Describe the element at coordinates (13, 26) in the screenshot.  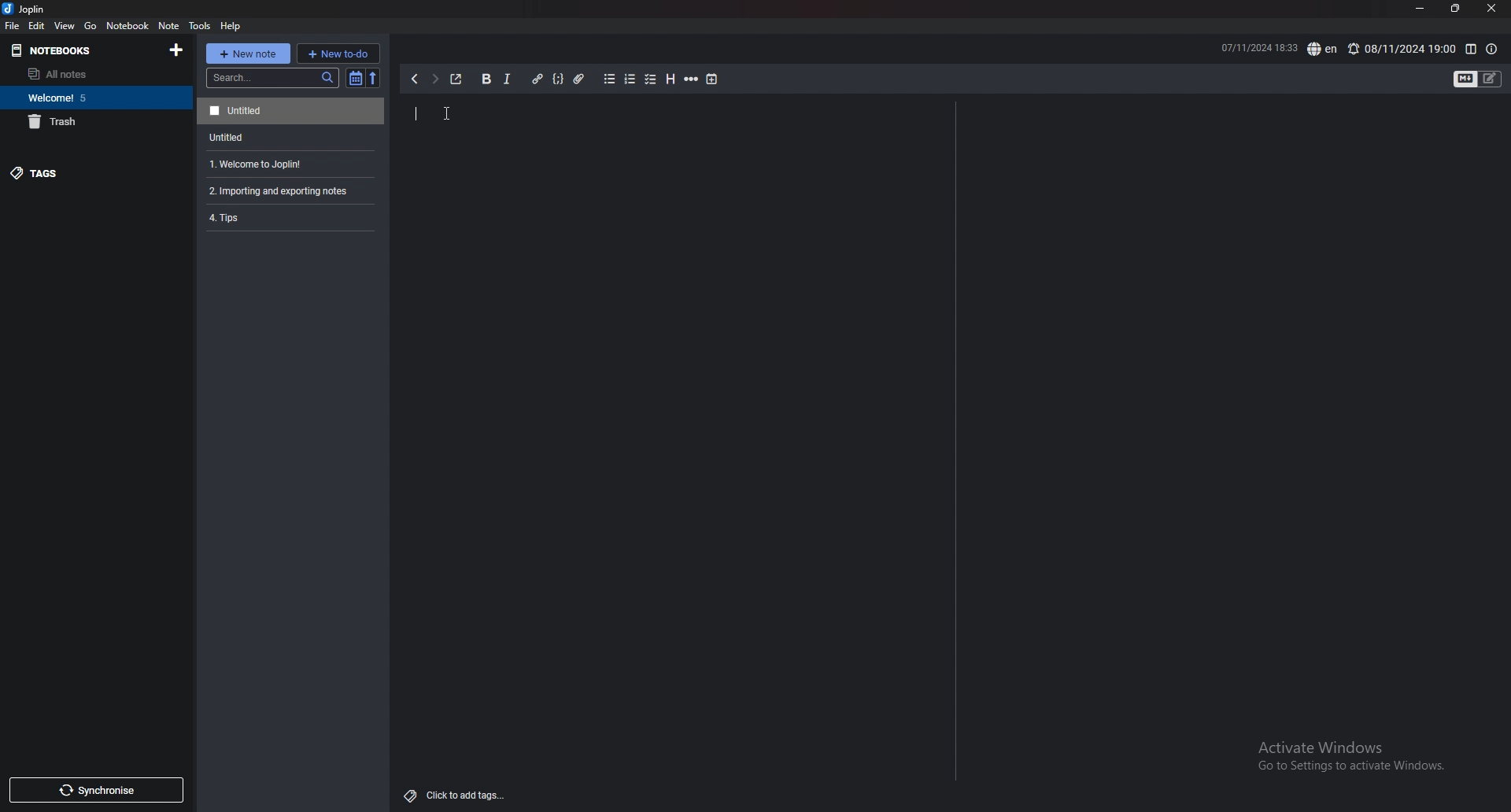
I see `file` at that location.